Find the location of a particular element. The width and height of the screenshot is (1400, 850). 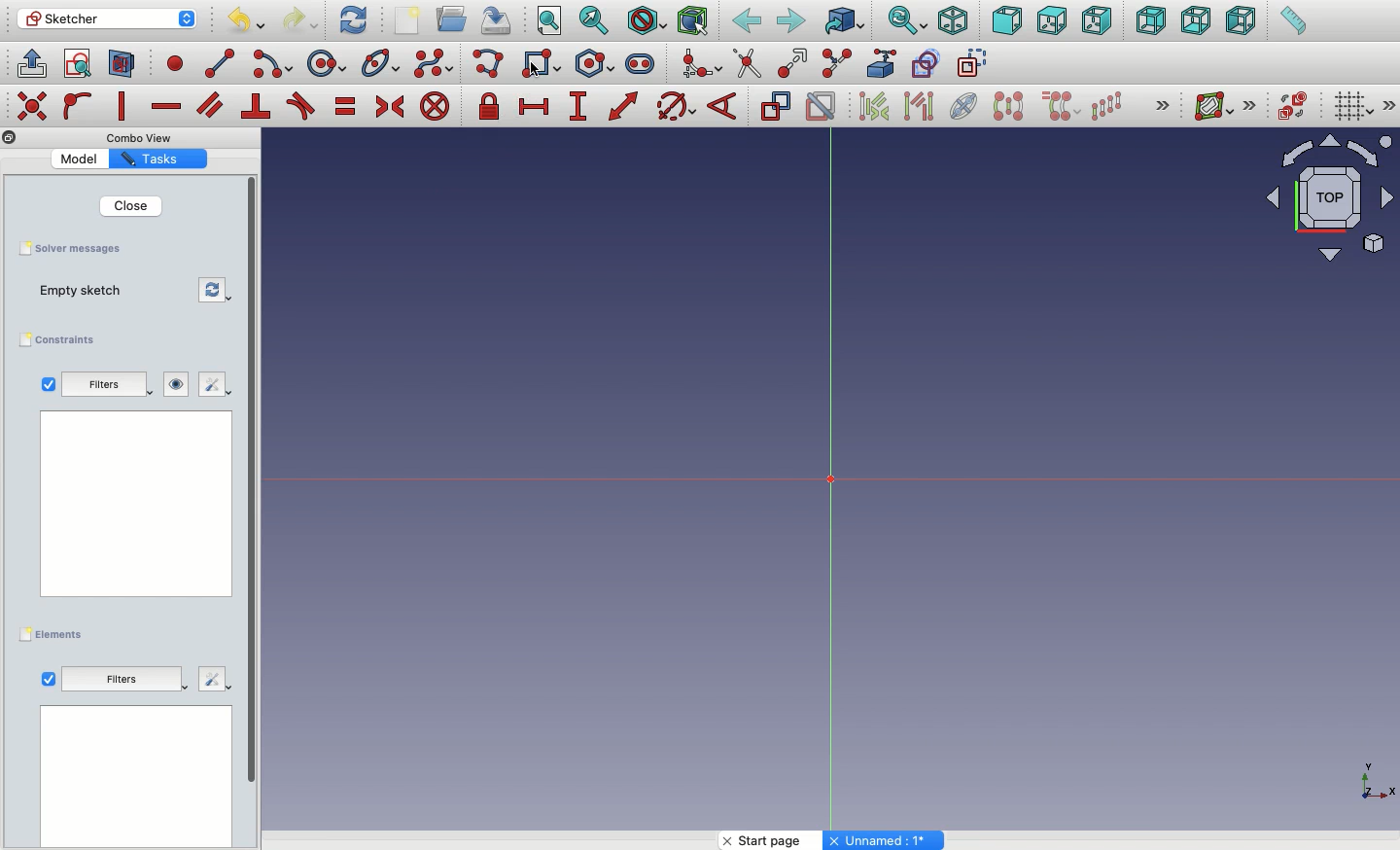

Toggle grid is located at coordinates (1351, 105).